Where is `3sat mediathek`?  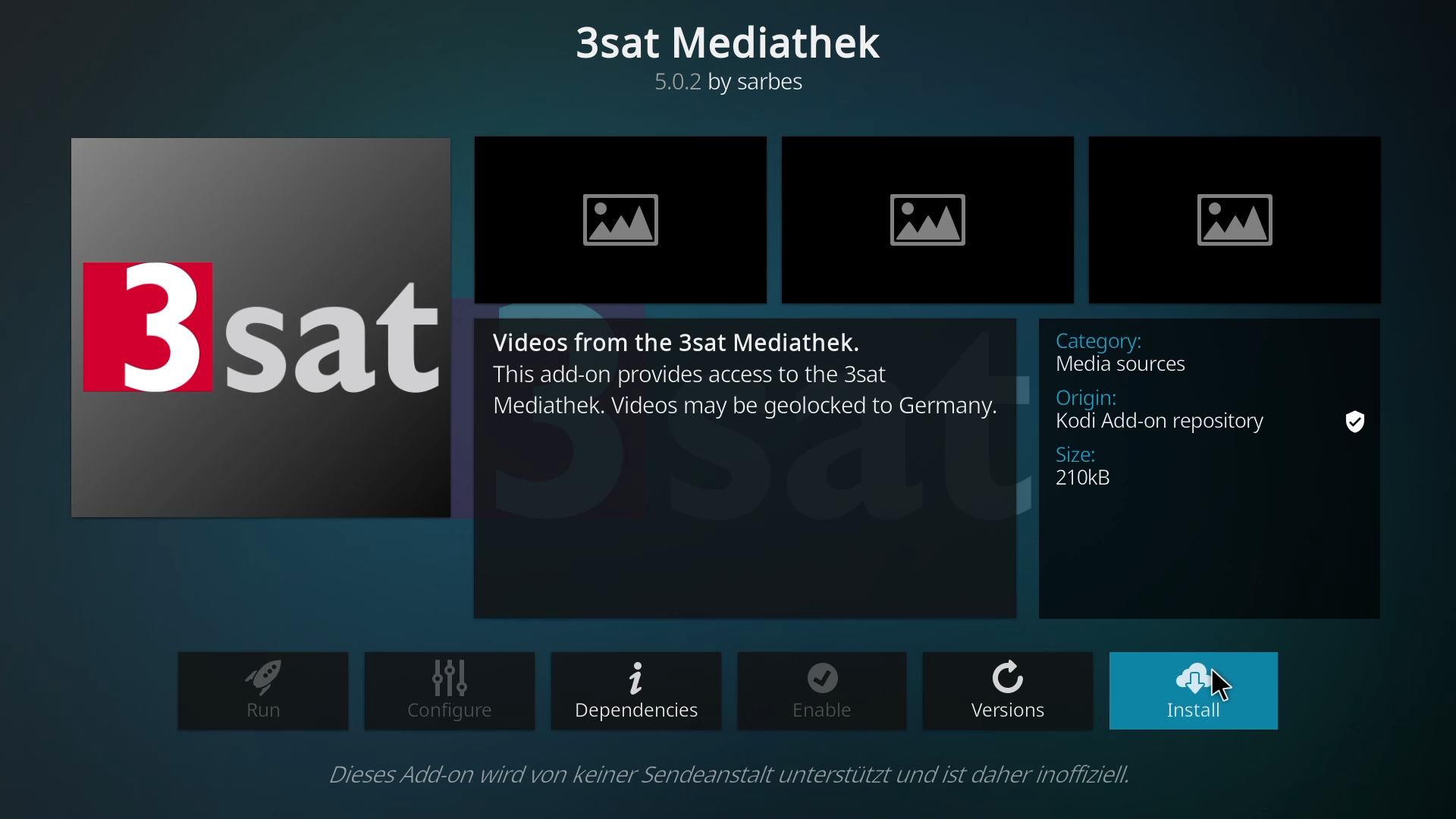
3sat mediathek is located at coordinates (739, 60).